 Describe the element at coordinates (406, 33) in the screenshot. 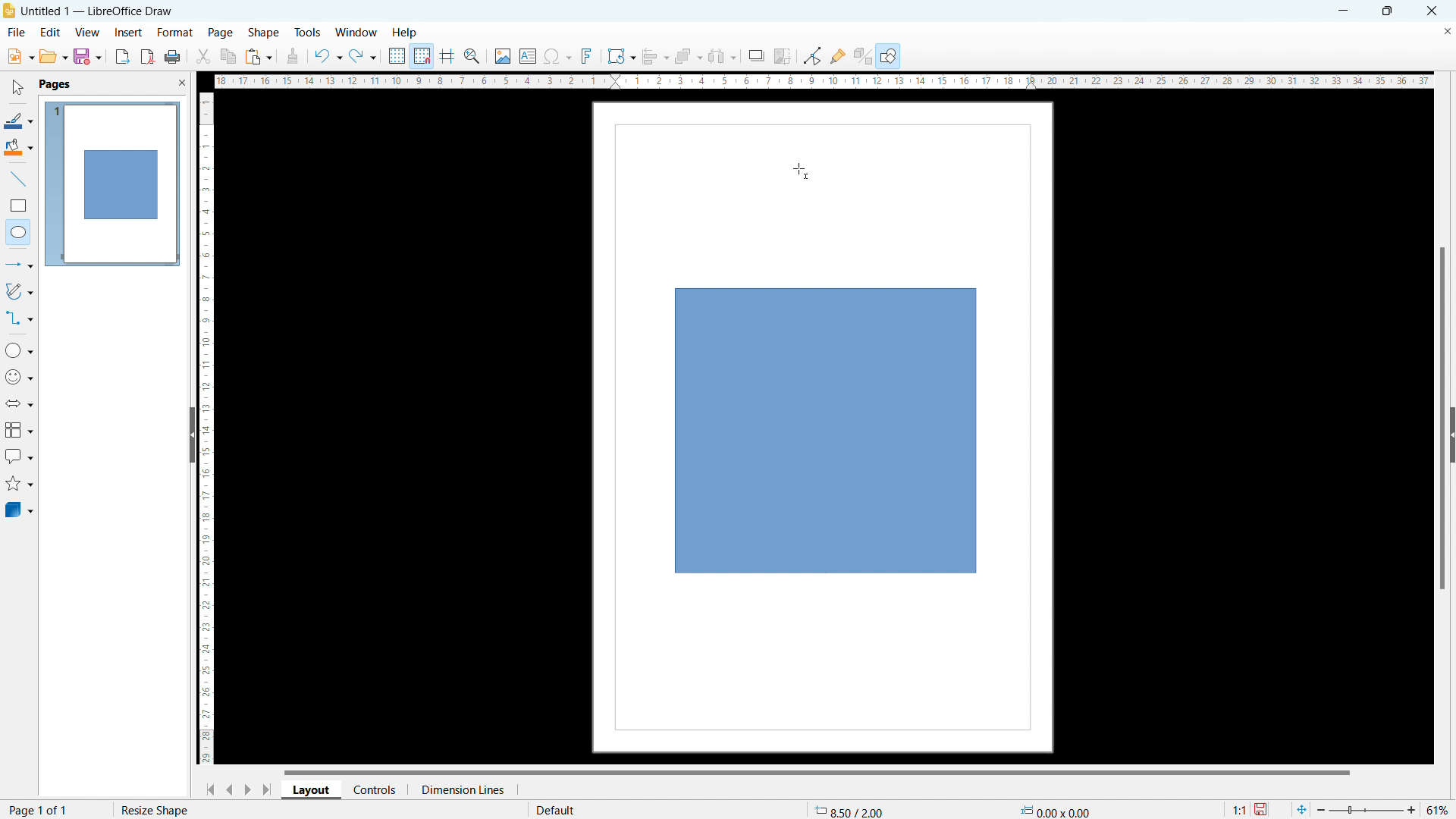

I see `help` at that location.